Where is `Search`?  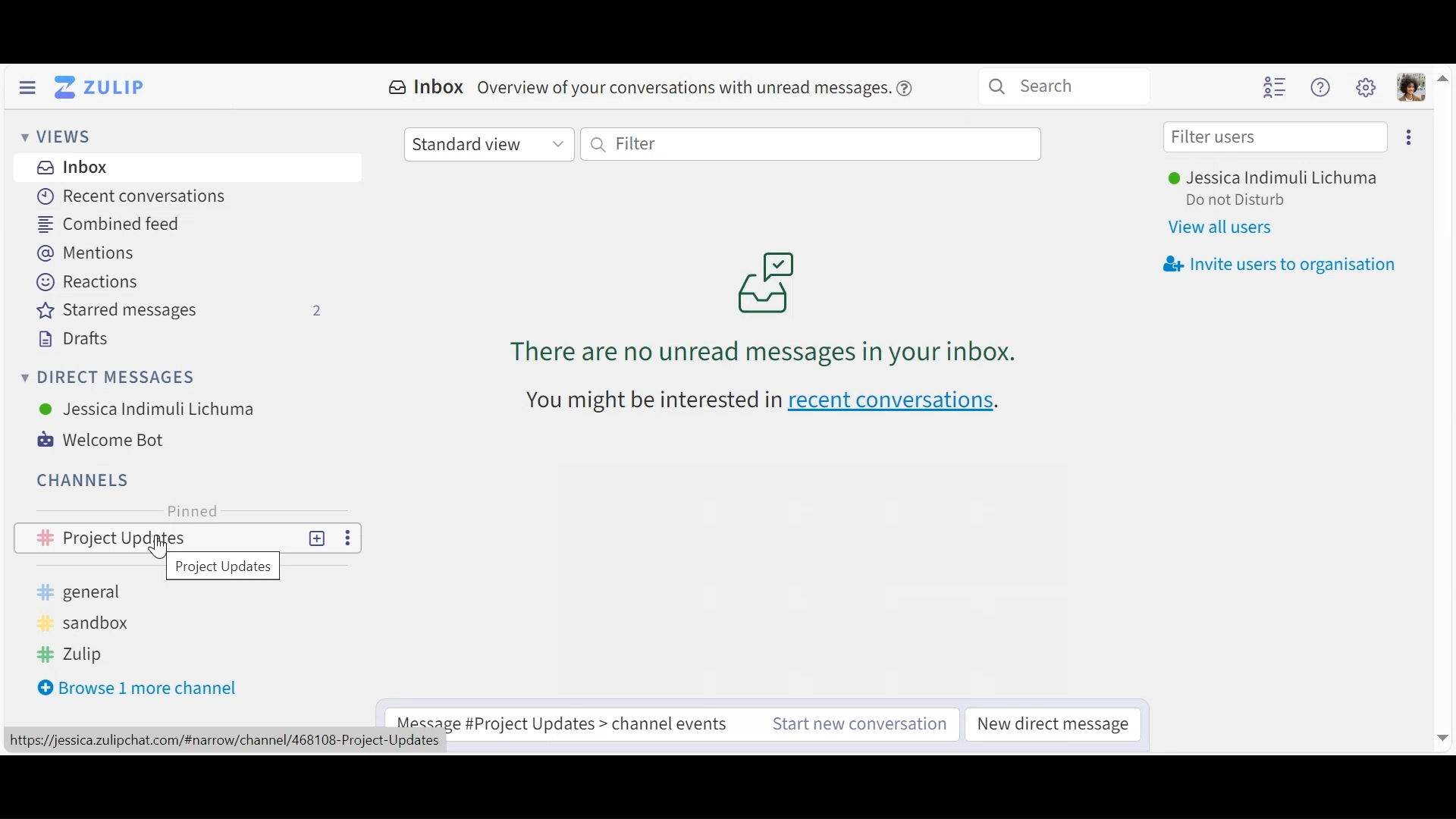
Search is located at coordinates (1049, 86).